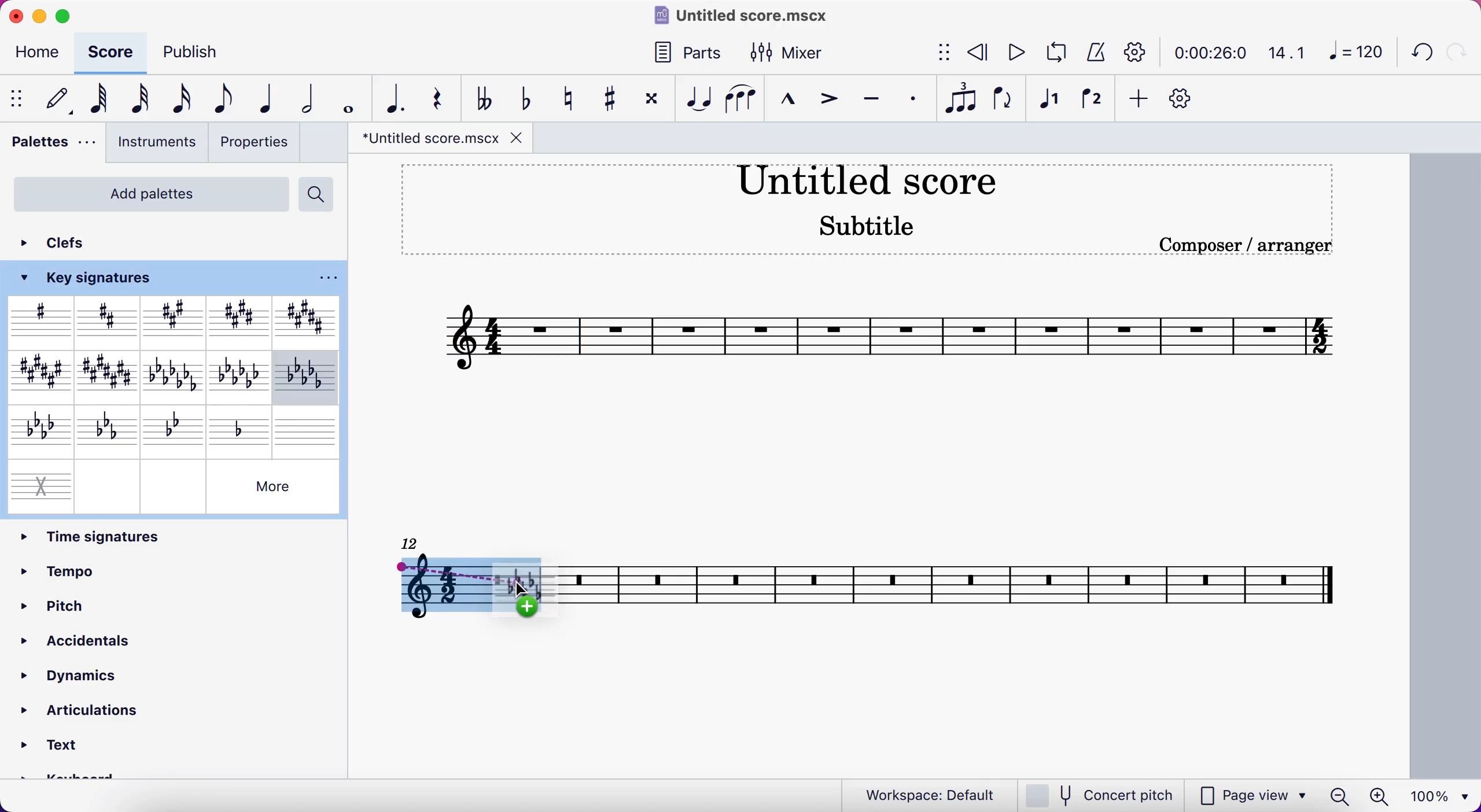 This screenshot has height=812, width=1481. What do you see at coordinates (175, 536) in the screenshot?
I see `time signatures` at bounding box center [175, 536].